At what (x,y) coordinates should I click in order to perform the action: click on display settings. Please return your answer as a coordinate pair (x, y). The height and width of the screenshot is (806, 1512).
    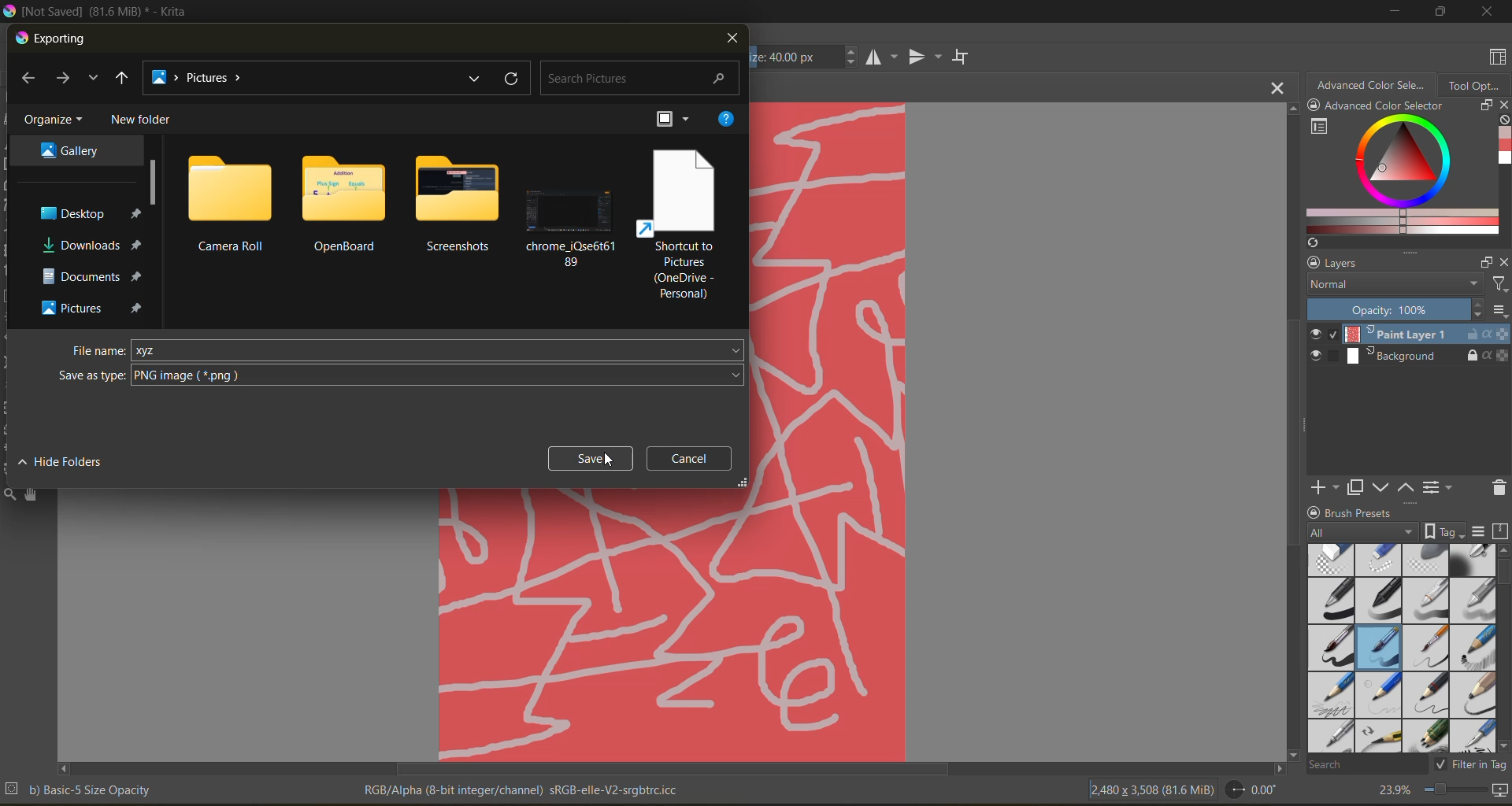
    Looking at the image, I should click on (1478, 531).